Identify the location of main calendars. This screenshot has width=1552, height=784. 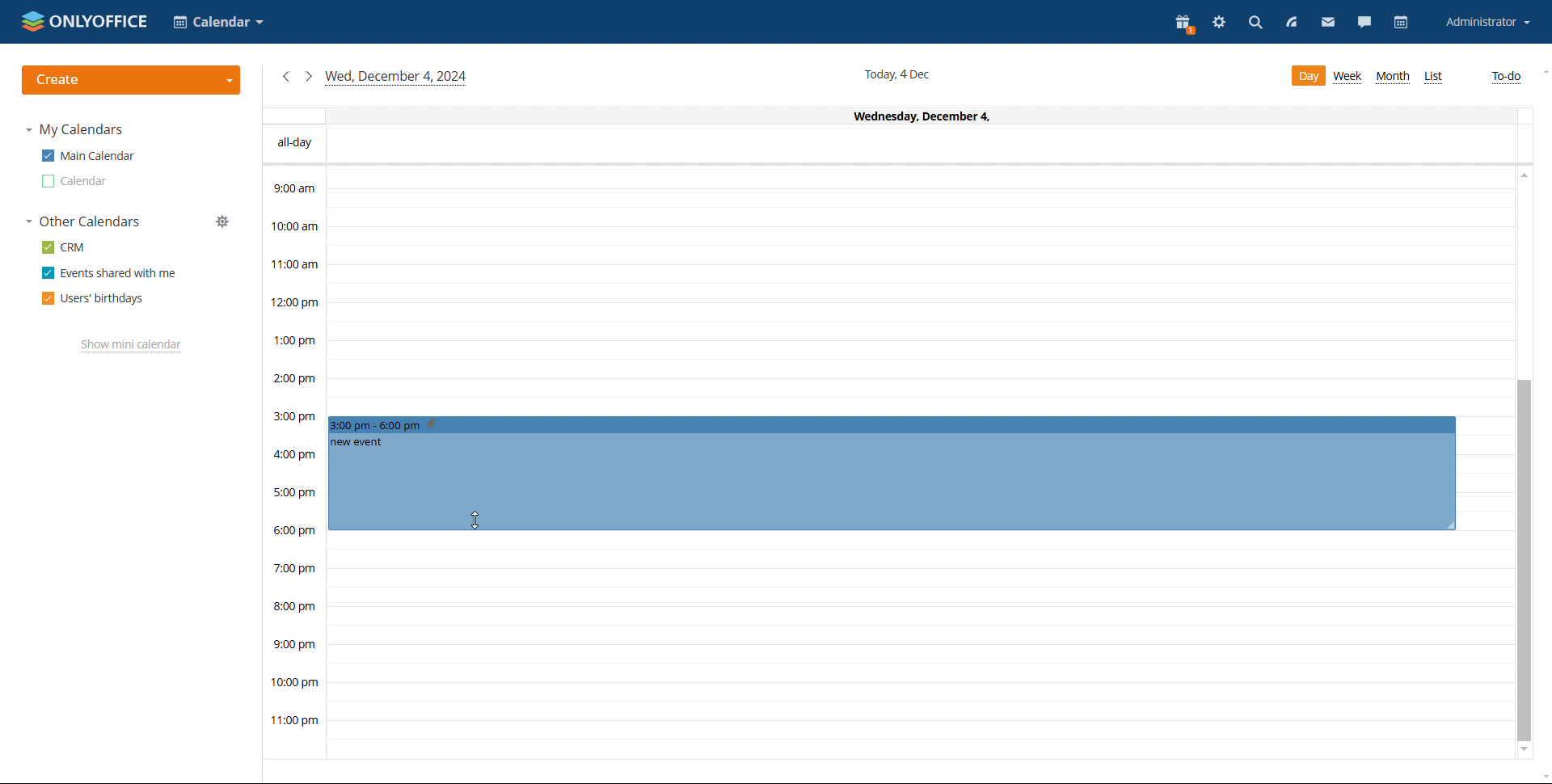
(87, 156).